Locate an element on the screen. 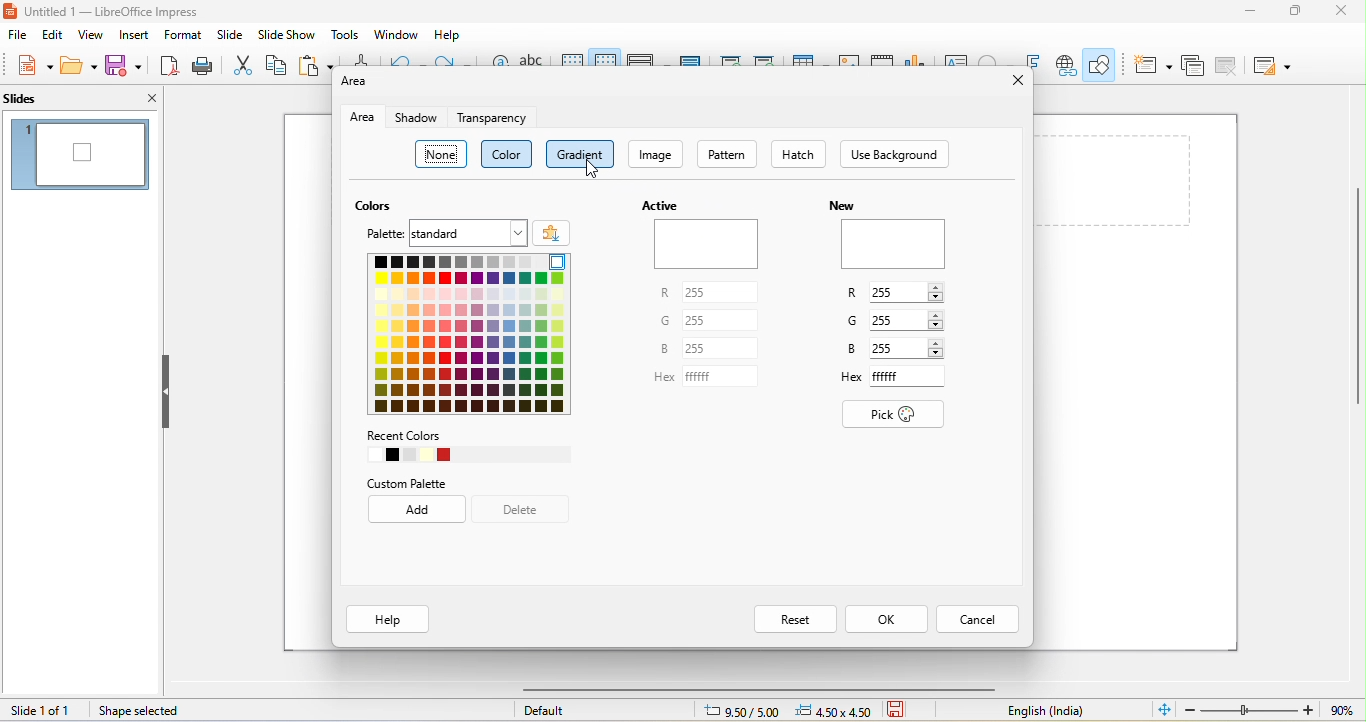  add colors is located at coordinates (552, 233).